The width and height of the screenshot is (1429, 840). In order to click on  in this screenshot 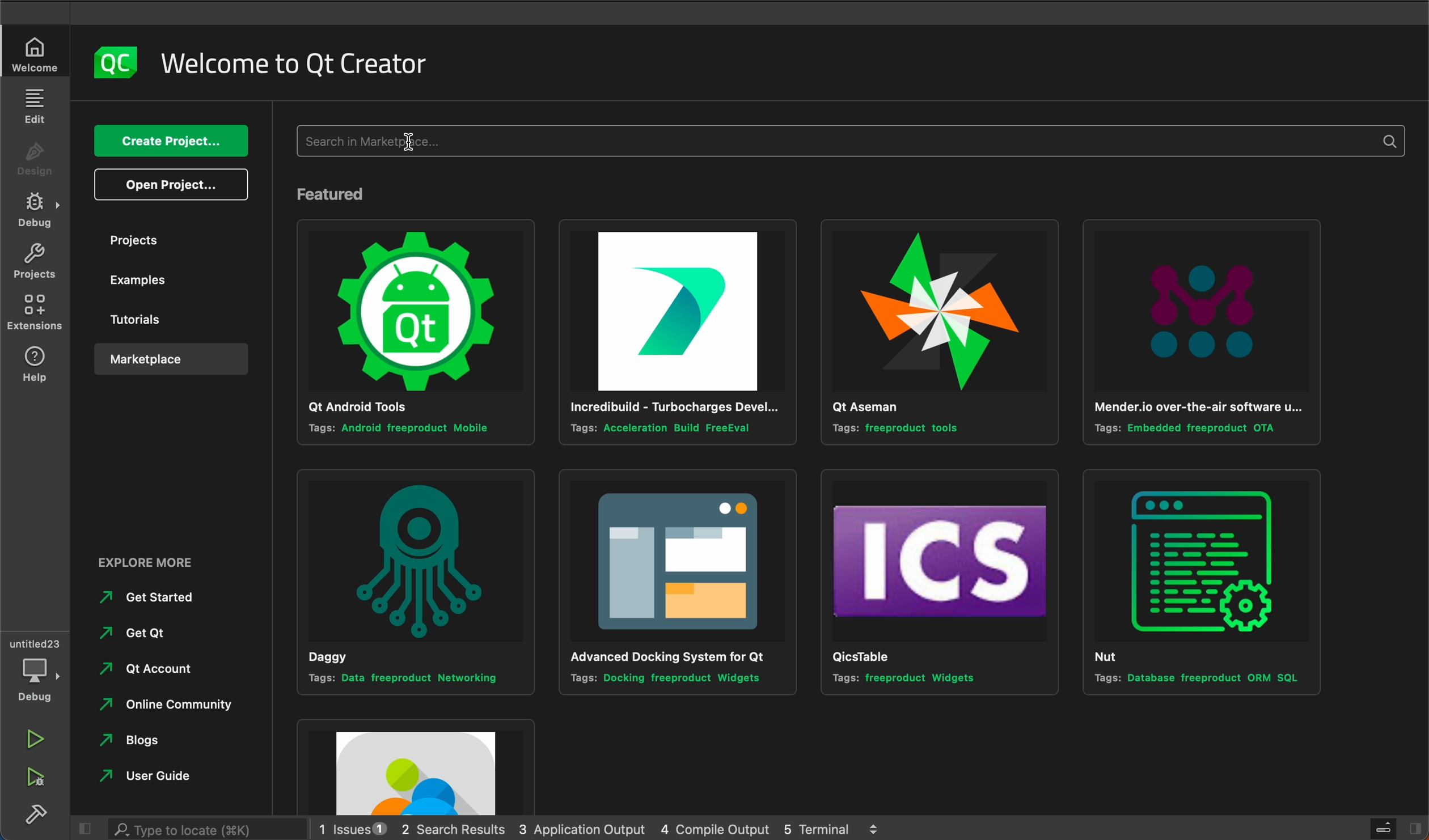, I will do `click(936, 333)`.